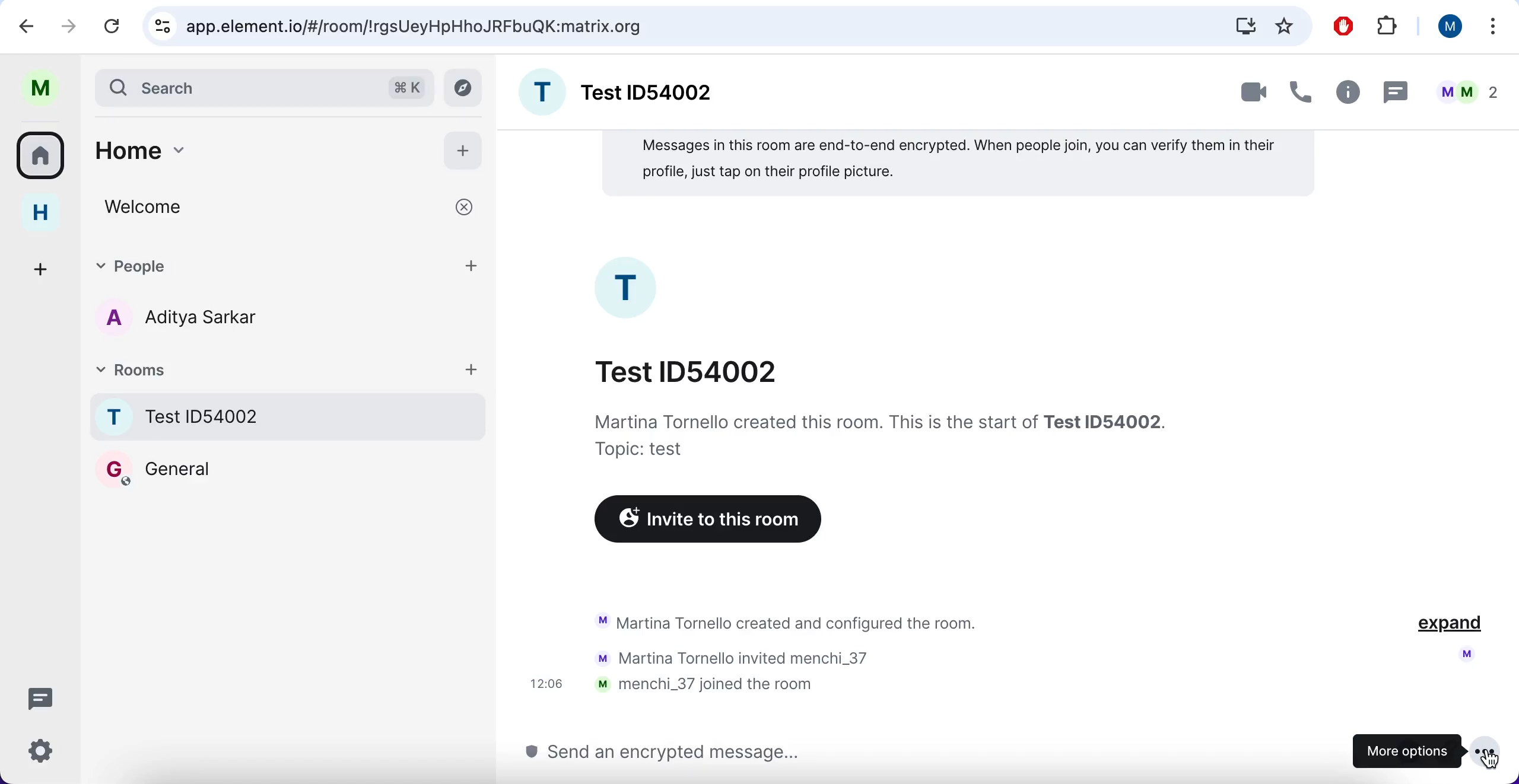 This screenshot has height=784, width=1519. What do you see at coordinates (1406, 751) in the screenshot?
I see `more options` at bounding box center [1406, 751].